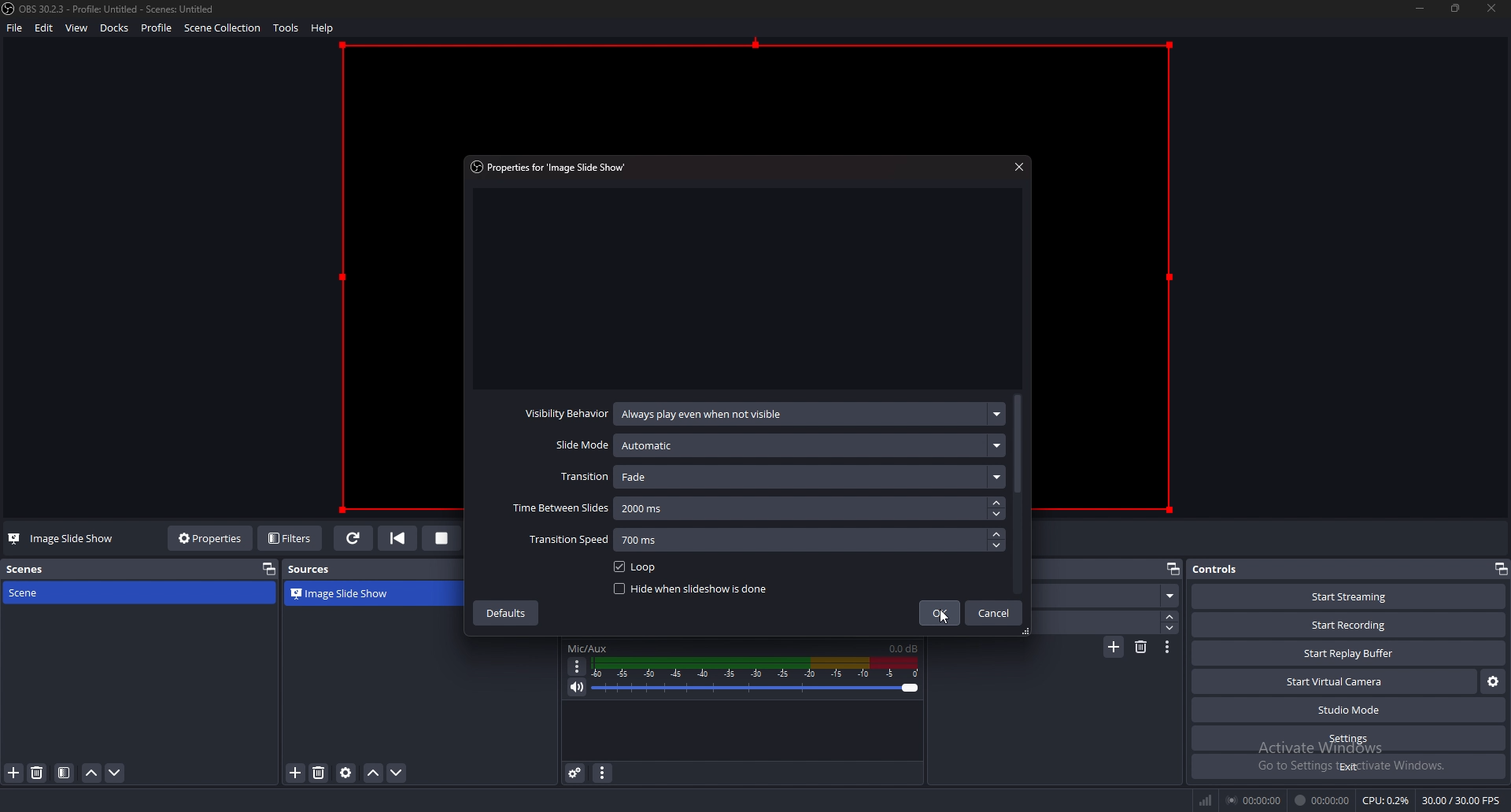 The image size is (1511, 812). What do you see at coordinates (1171, 569) in the screenshot?
I see `popout` at bounding box center [1171, 569].